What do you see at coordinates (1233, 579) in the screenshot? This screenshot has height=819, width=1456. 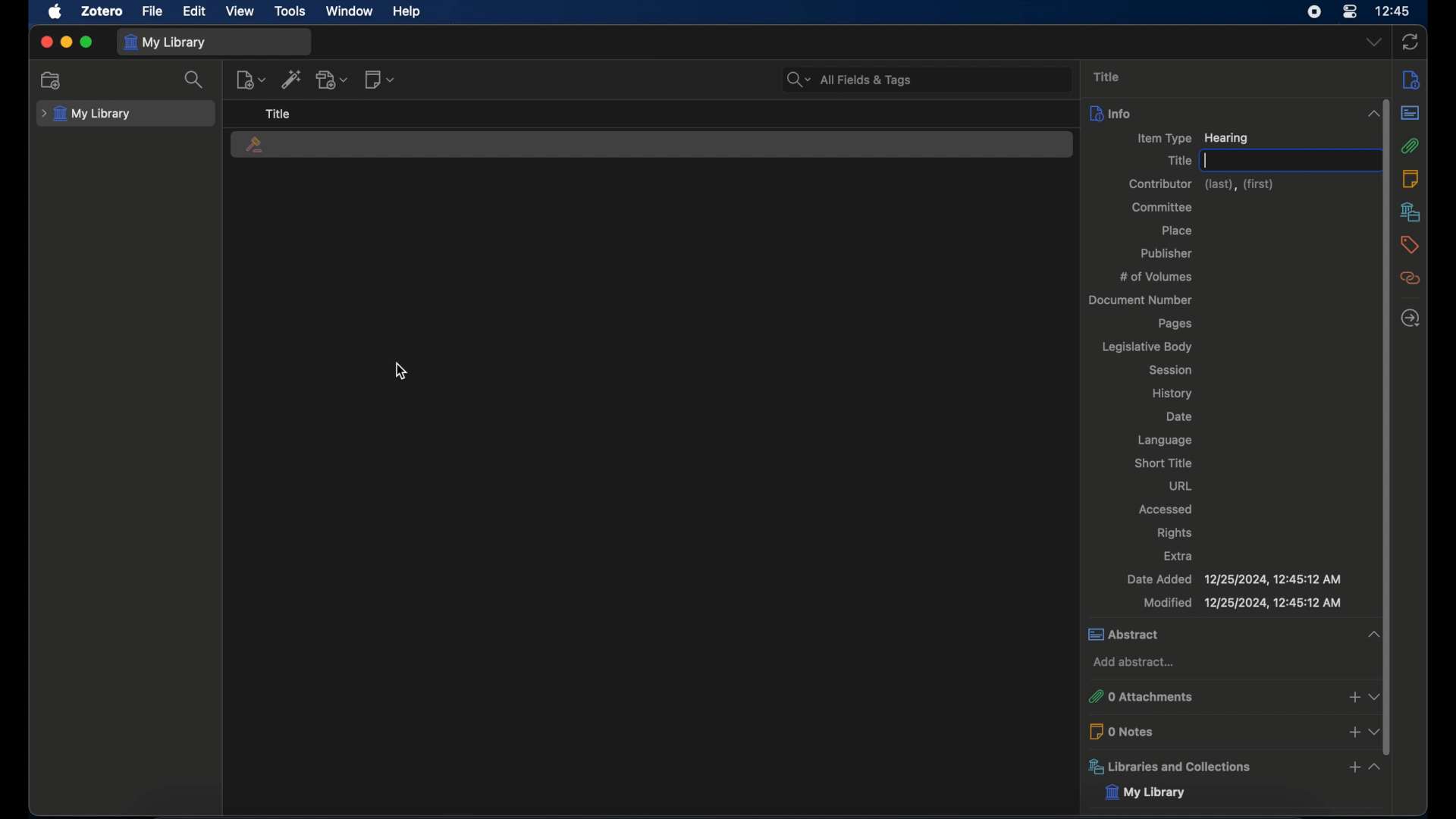 I see `date added` at bounding box center [1233, 579].